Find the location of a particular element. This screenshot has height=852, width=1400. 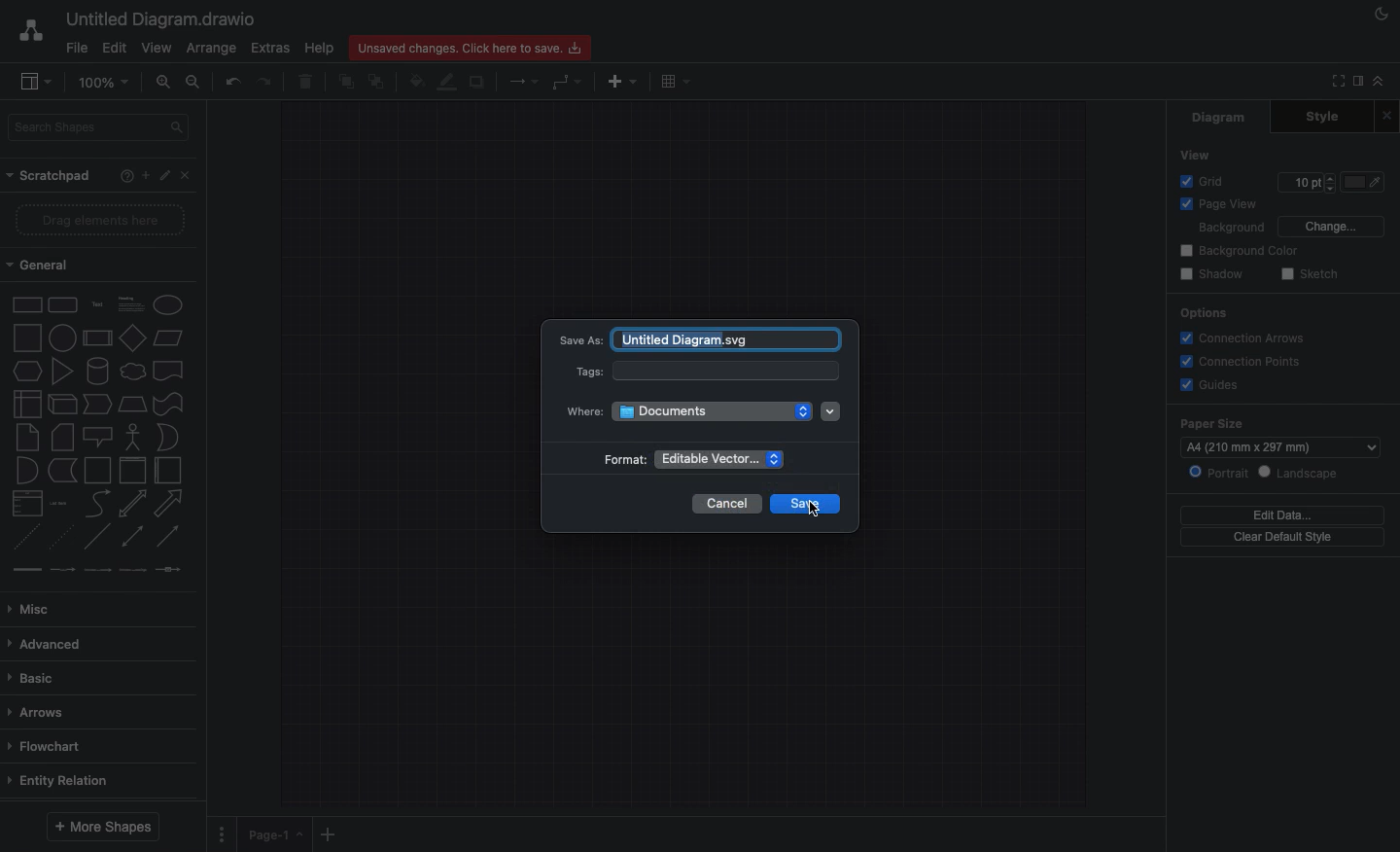

Fill is located at coordinates (1370, 183).